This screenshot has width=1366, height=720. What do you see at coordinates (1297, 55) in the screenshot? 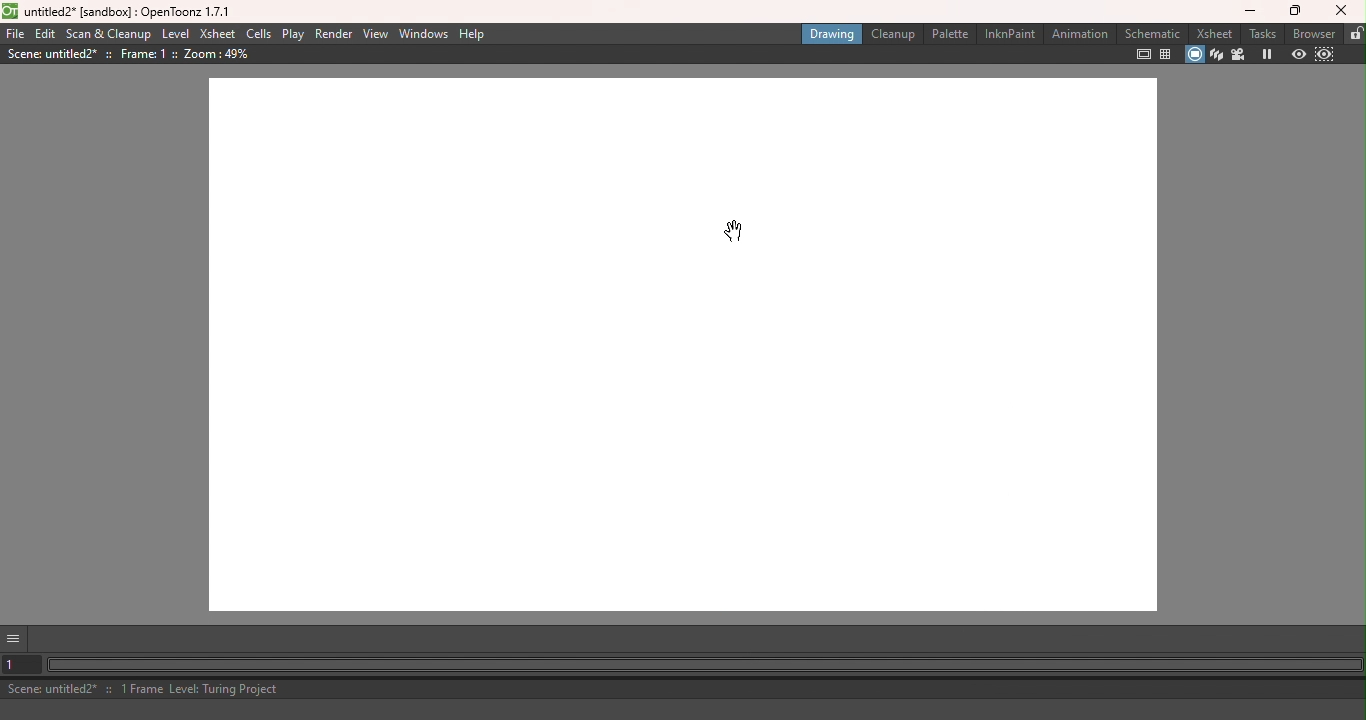
I see `Preview` at bounding box center [1297, 55].